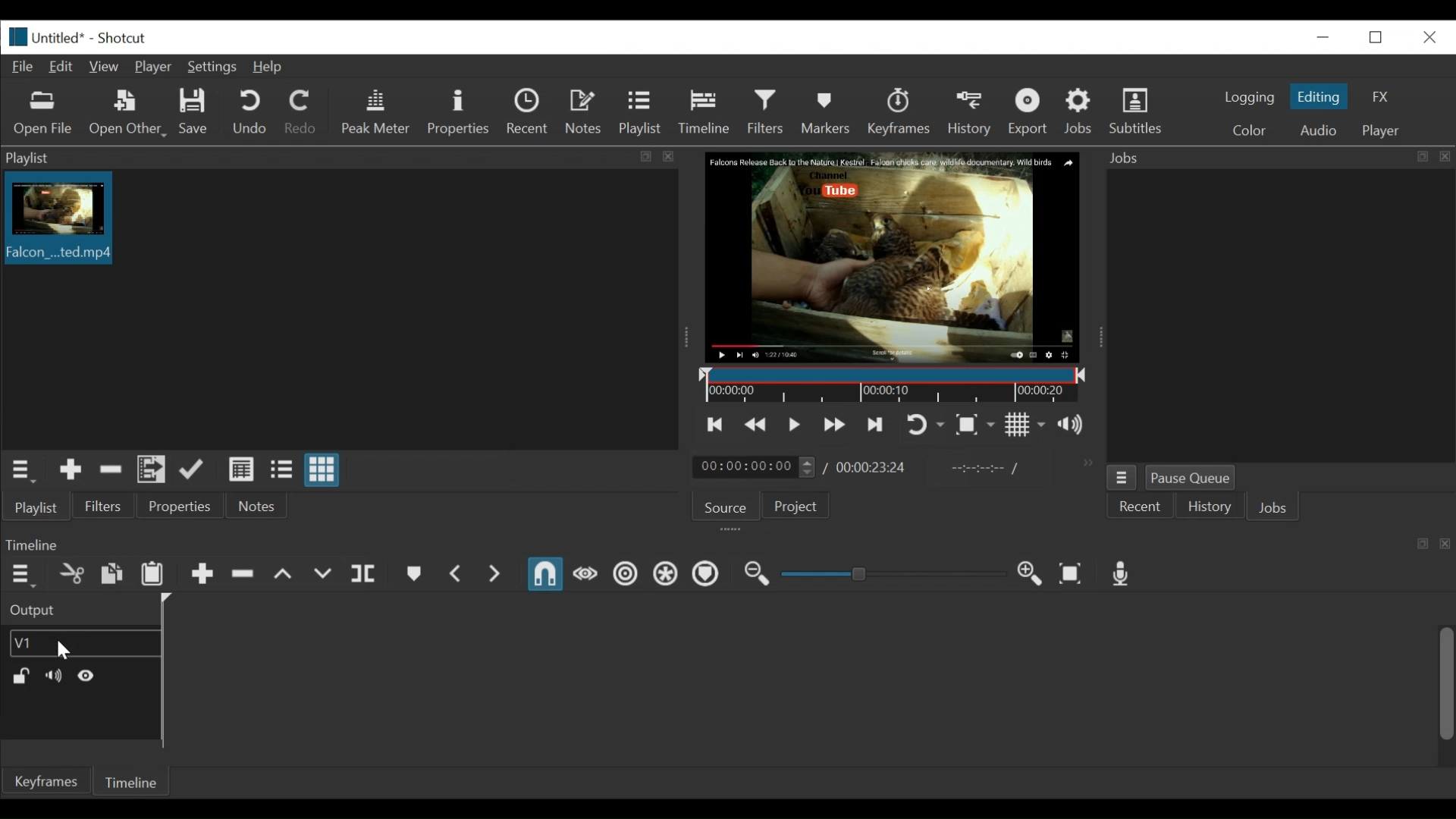  I want to click on Open Other, so click(125, 113).